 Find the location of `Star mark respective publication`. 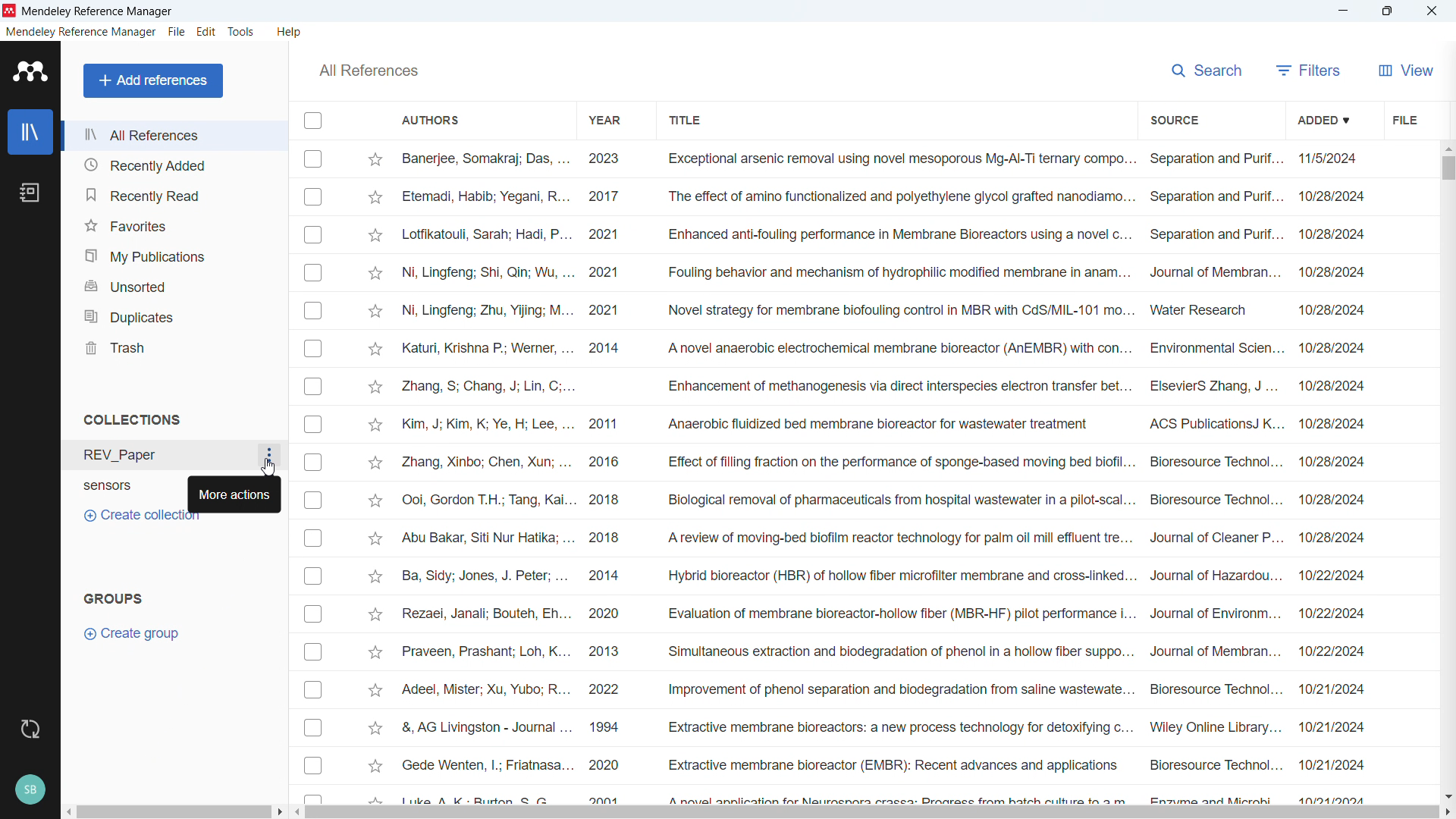

Star mark respective publication is located at coordinates (375, 500).